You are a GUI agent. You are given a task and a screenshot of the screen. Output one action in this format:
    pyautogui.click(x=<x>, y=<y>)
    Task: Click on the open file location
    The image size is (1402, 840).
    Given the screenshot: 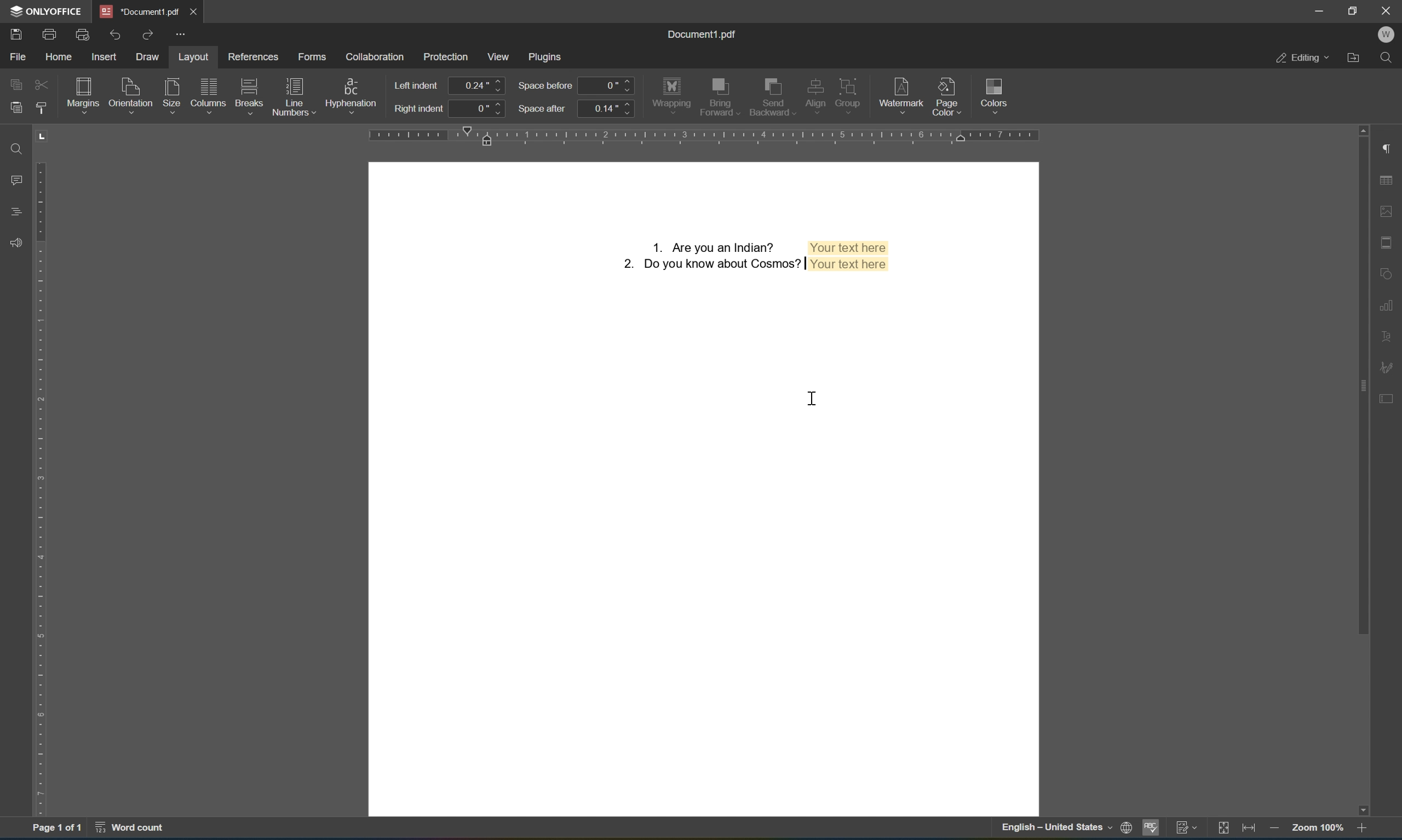 What is the action you would take?
    pyautogui.click(x=1355, y=58)
    